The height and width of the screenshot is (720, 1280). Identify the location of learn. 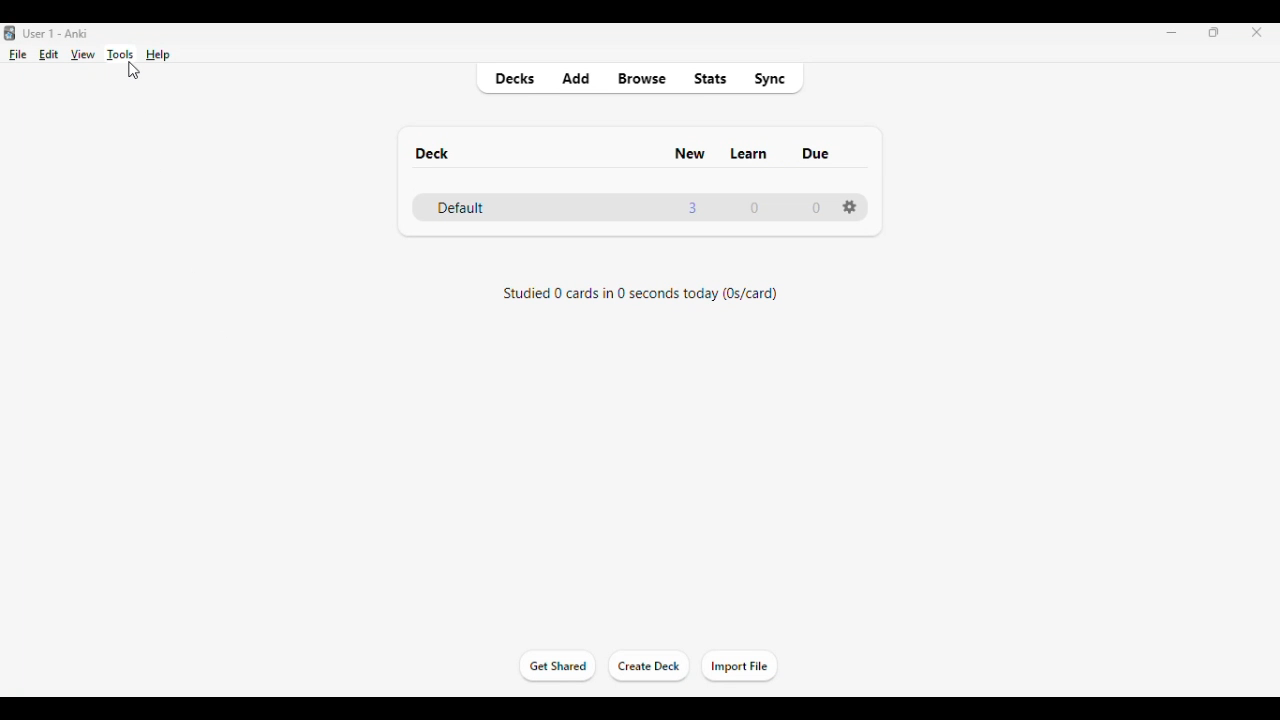
(748, 153).